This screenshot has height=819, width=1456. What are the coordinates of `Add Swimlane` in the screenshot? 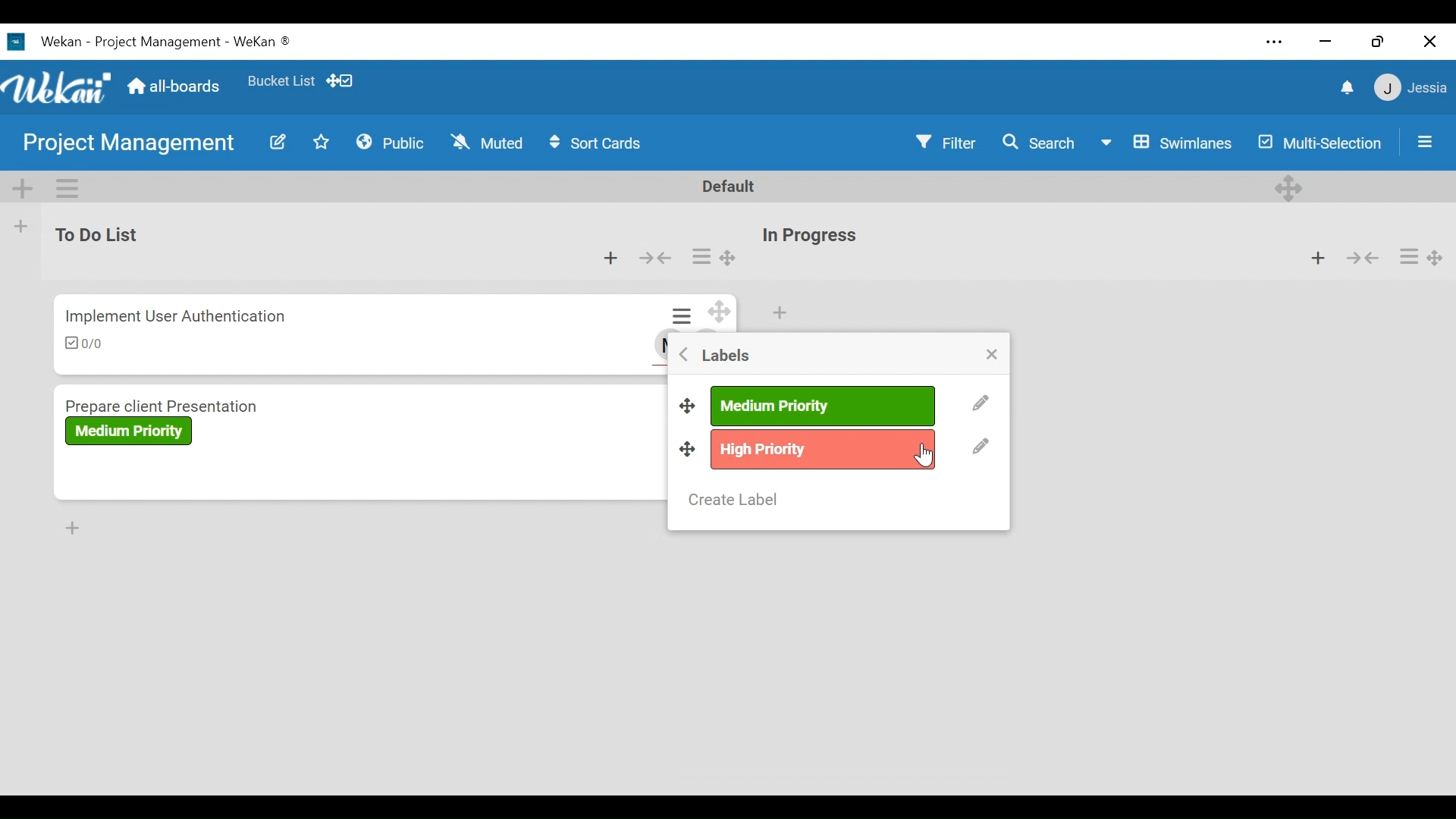 It's located at (22, 186).